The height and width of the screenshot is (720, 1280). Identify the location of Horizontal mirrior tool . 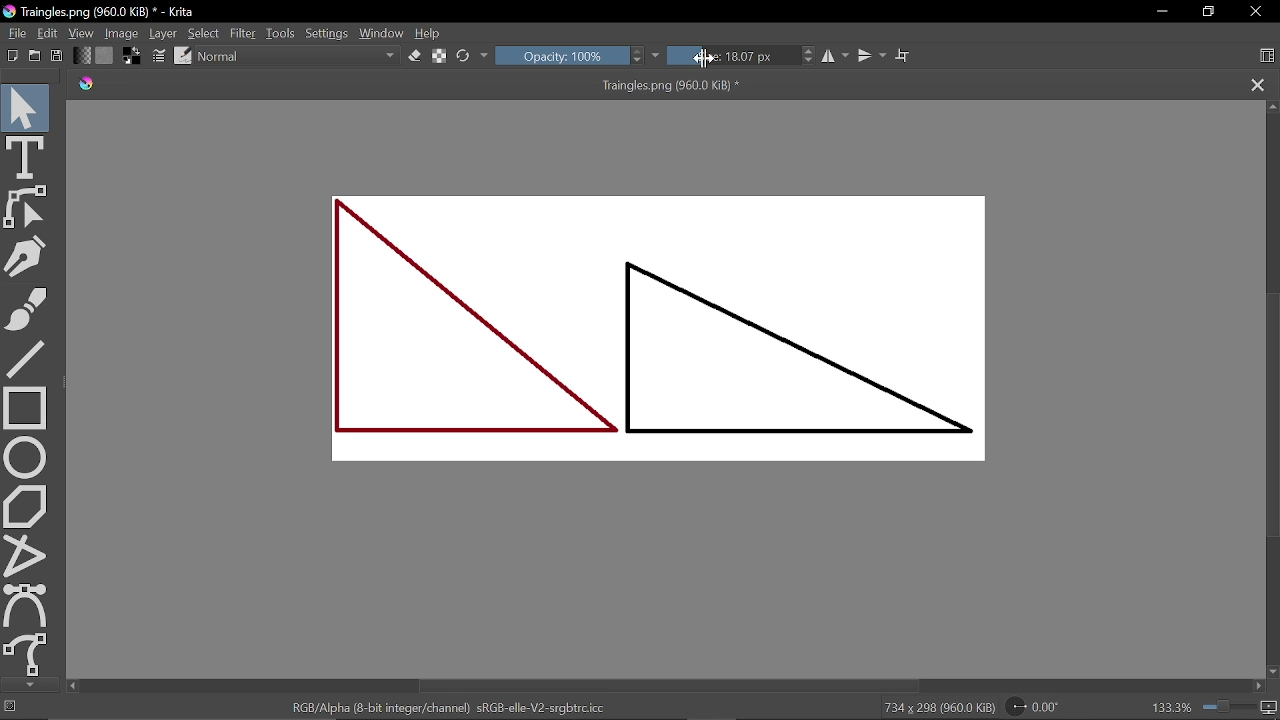
(837, 56).